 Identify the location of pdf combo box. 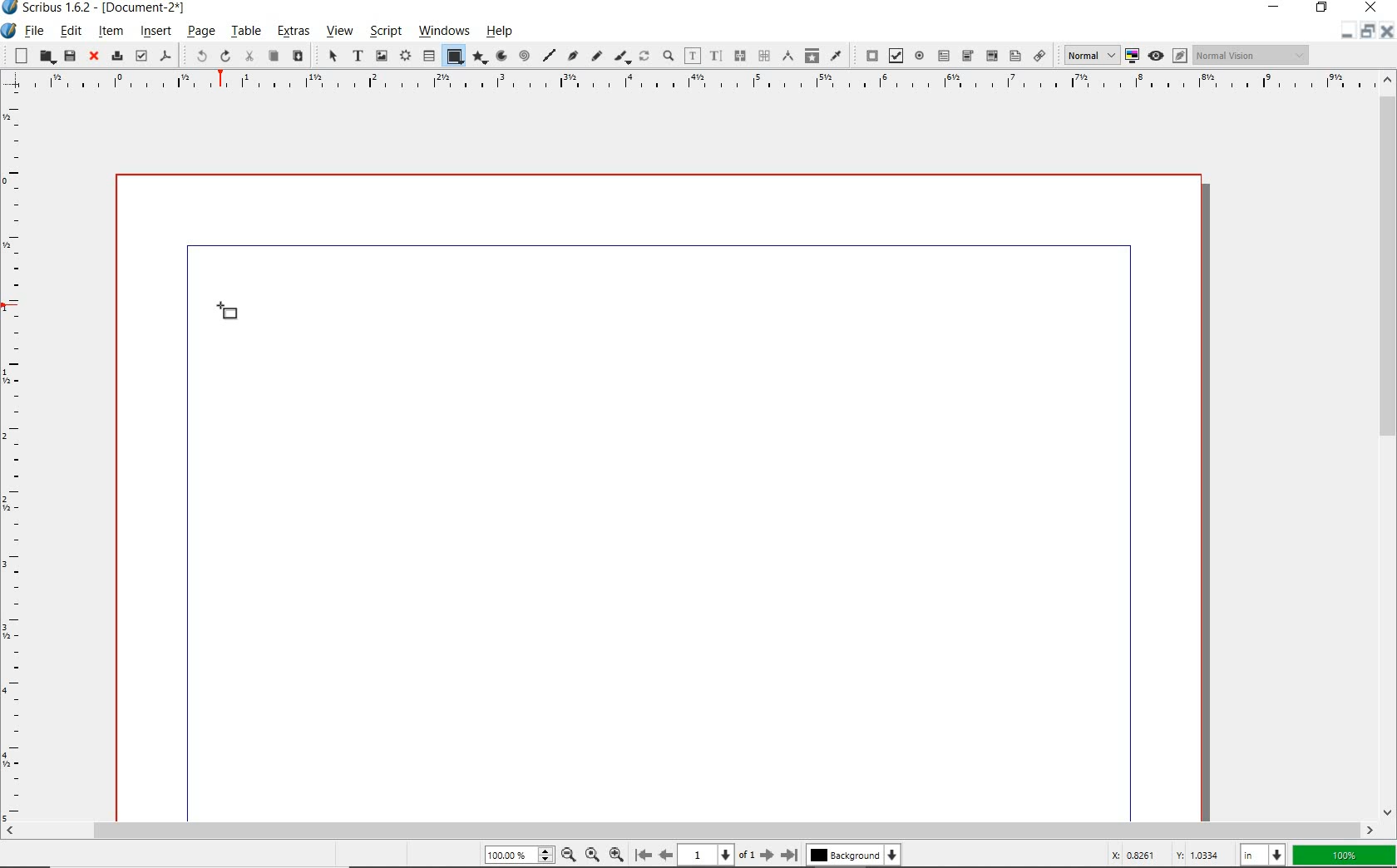
(991, 57).